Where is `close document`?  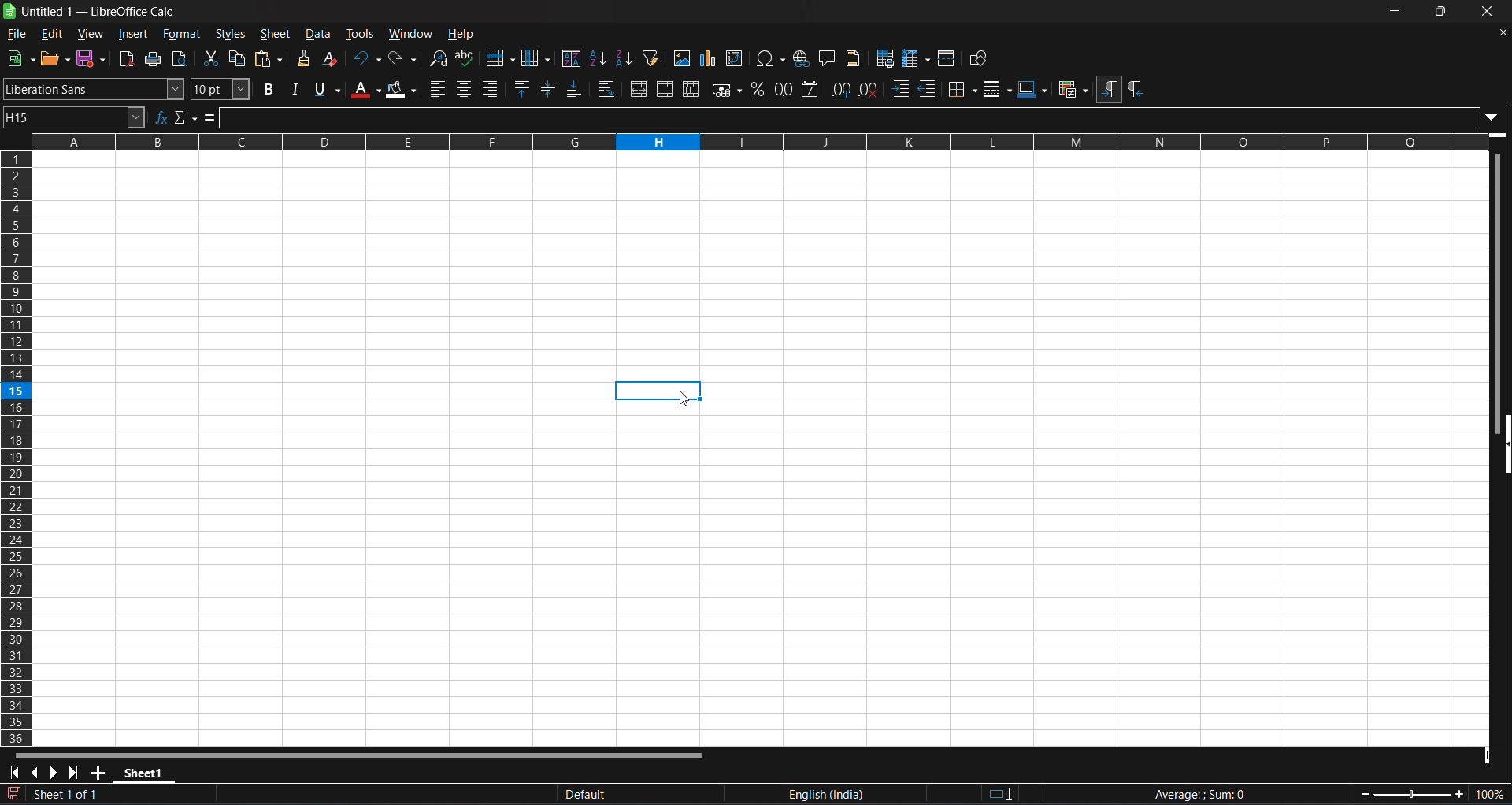
close document is located at coordinates (1503, 33).